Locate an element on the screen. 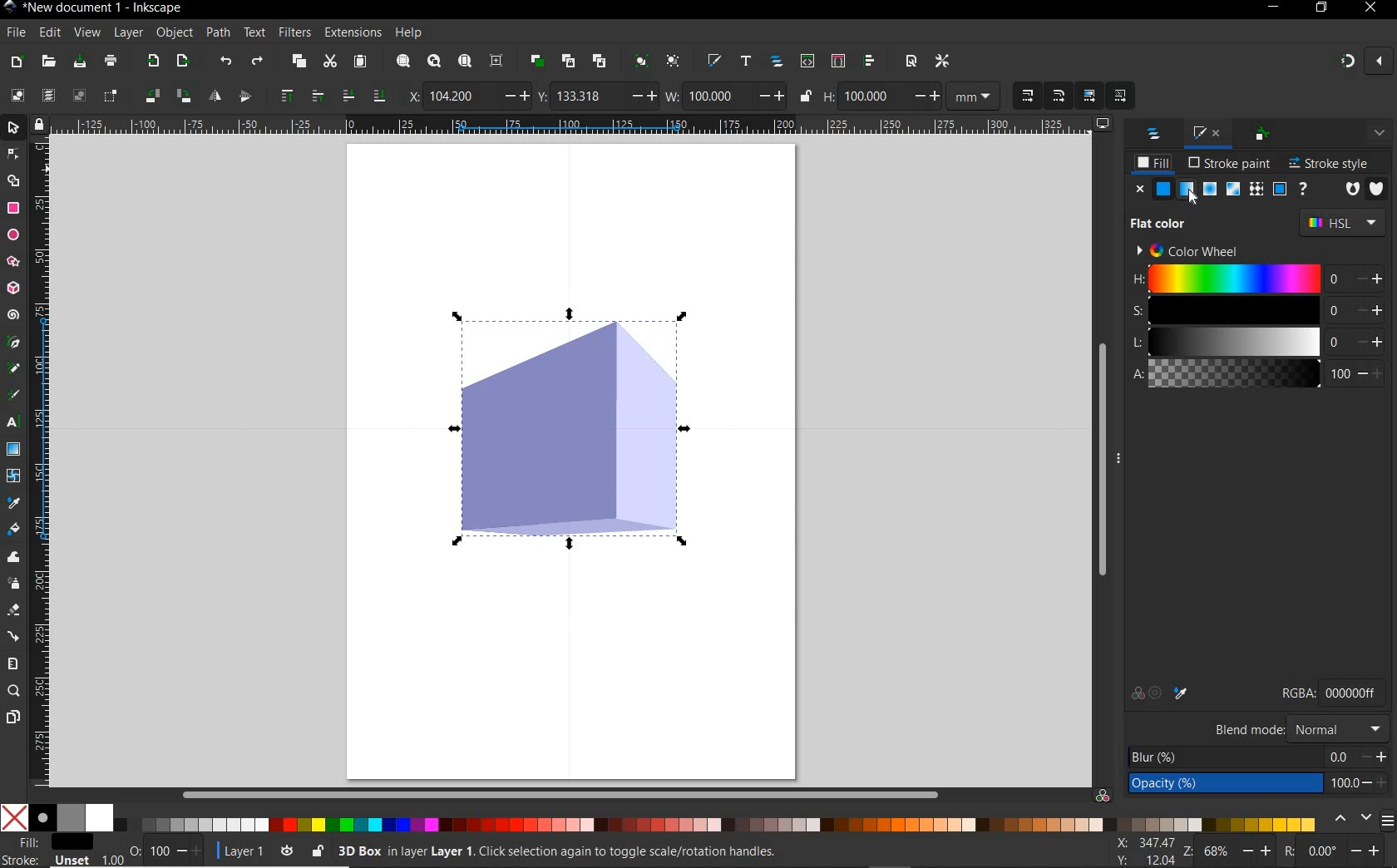 The height and width of the screenshot is (868, 1397). SAVE is located at coordinates (79, 61).